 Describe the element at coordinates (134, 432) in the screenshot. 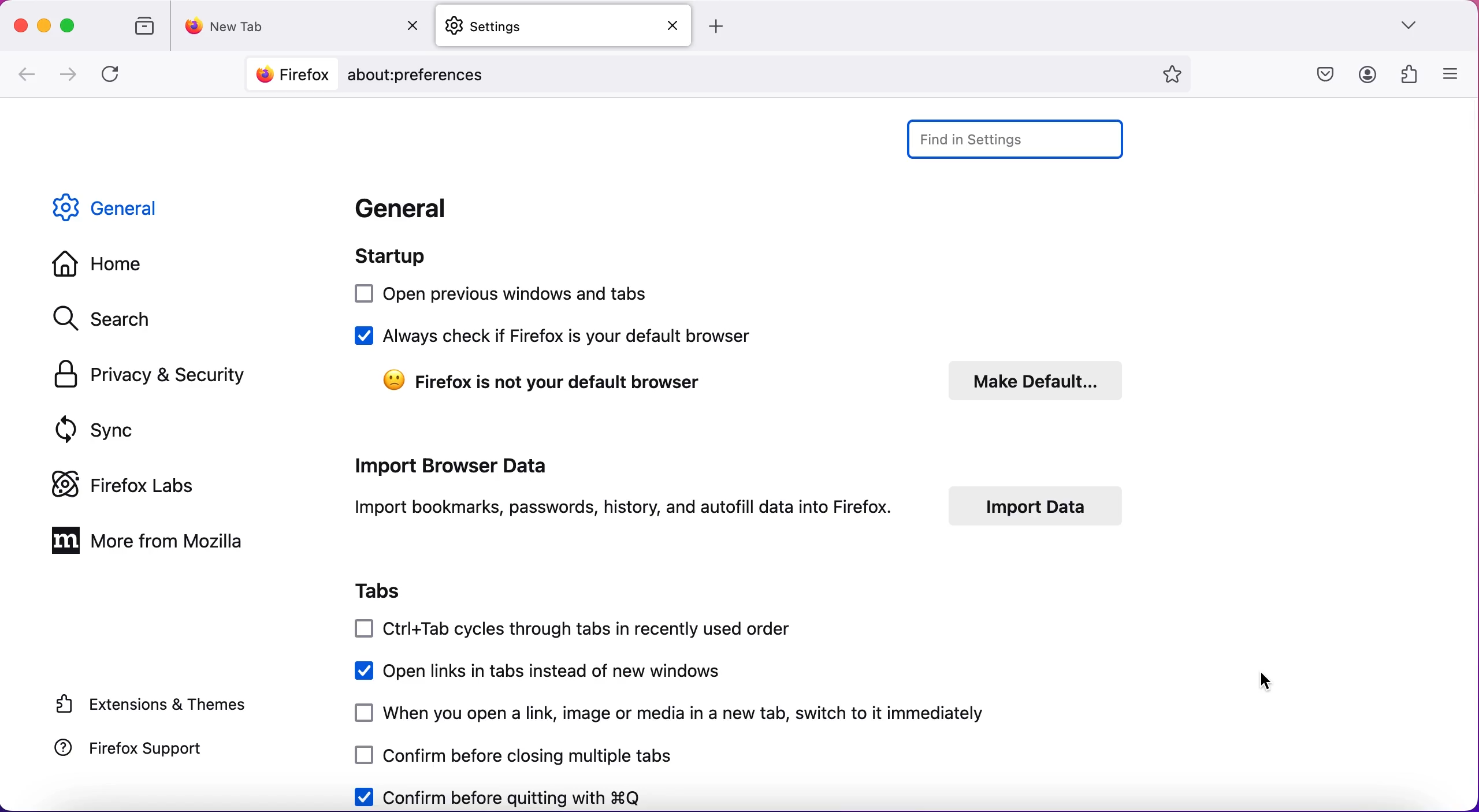

I see `sync` at that location.